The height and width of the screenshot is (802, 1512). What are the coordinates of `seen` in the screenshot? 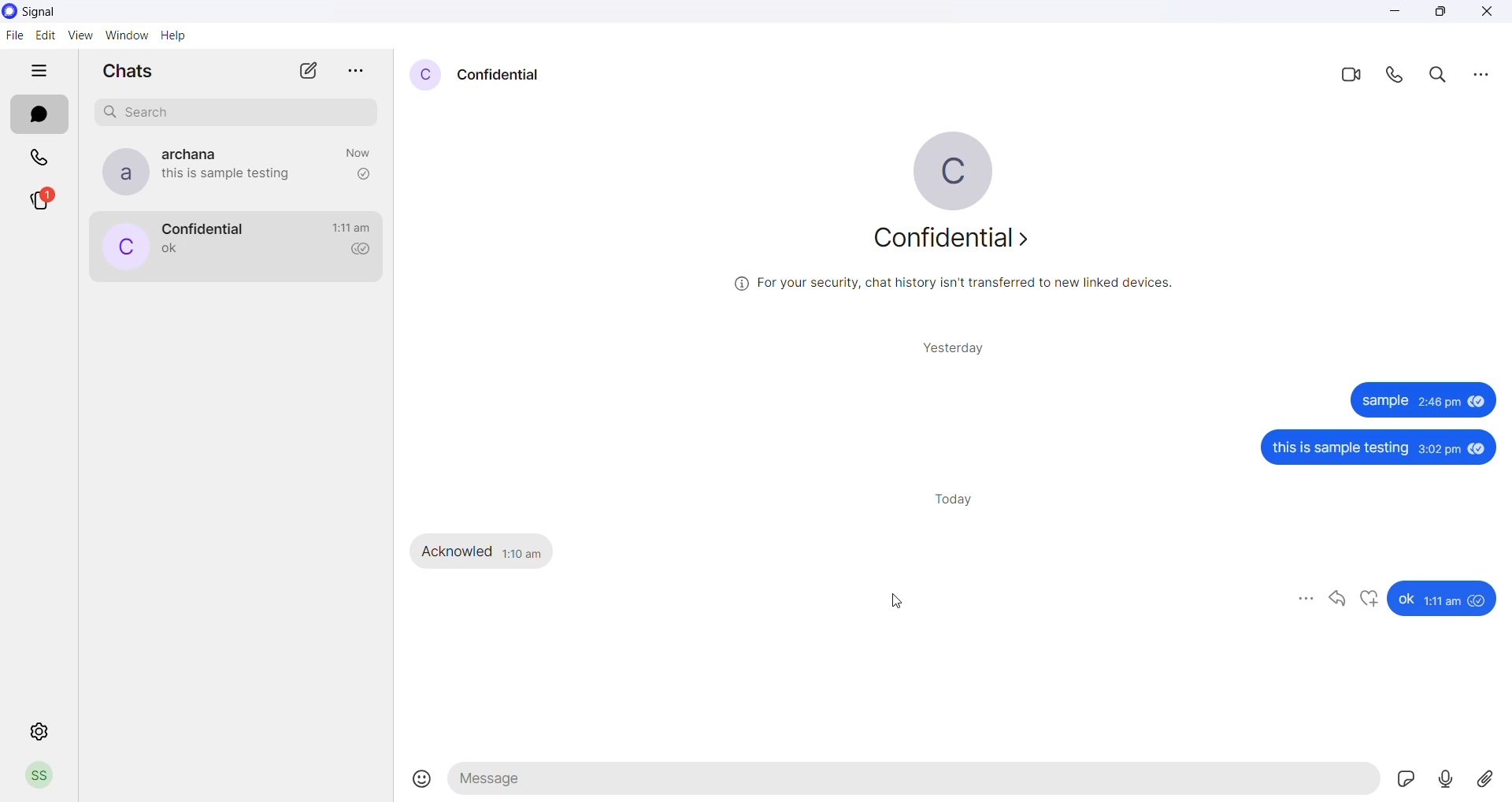 It's located at (1477, 405).